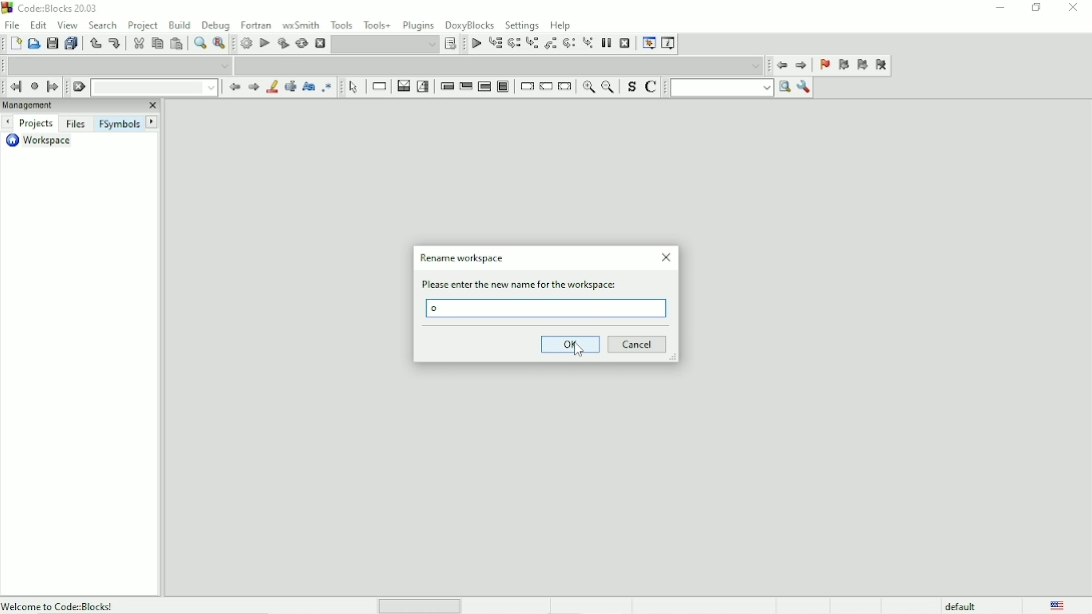 This screenshot has width=1092, height=614. Describe the element at coordinates (256, 24) in the screenshot. I see `Fortran` at that location.